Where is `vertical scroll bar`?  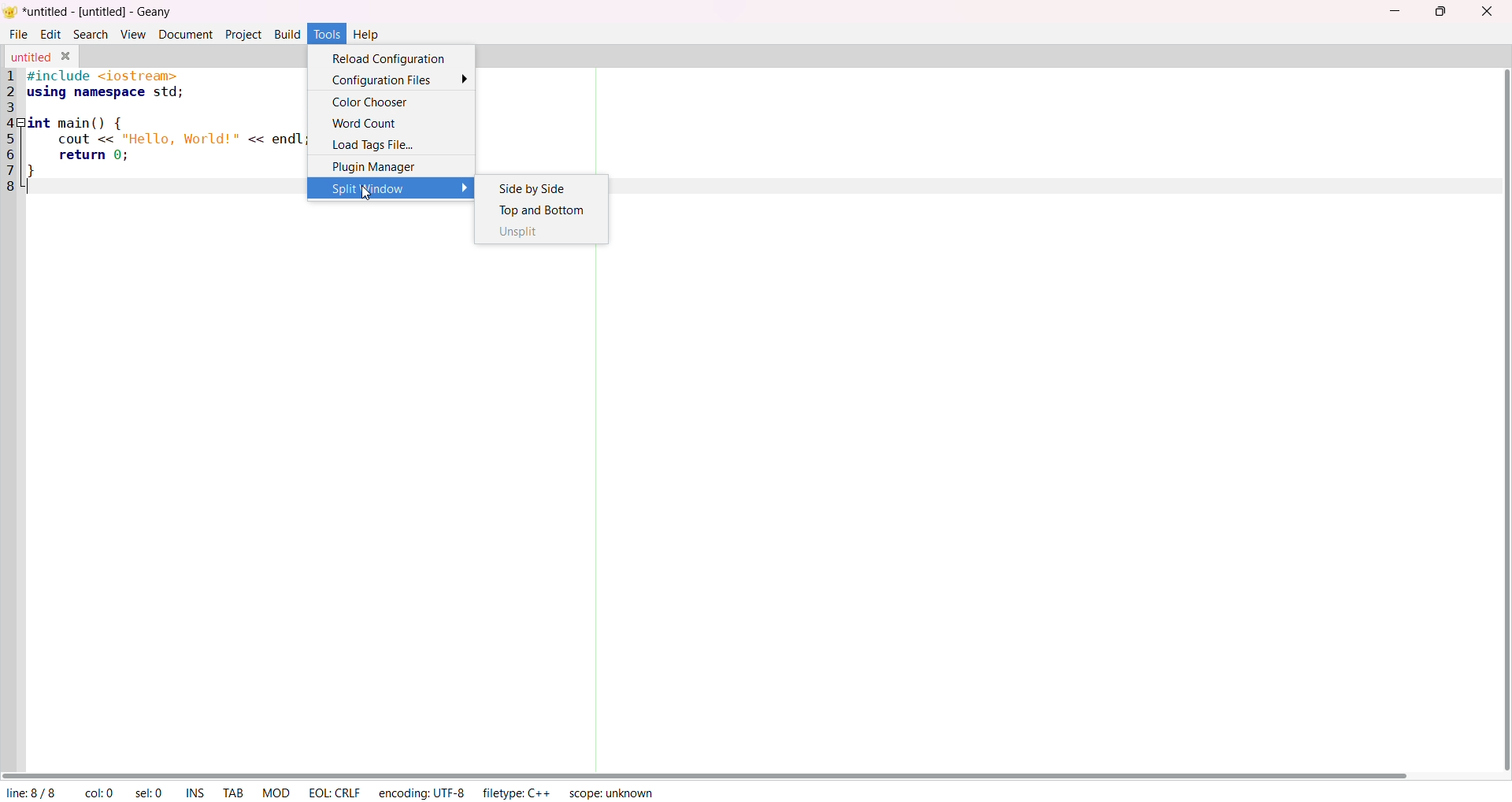 vertical scroll bar is located at coordinates (1502, 421).